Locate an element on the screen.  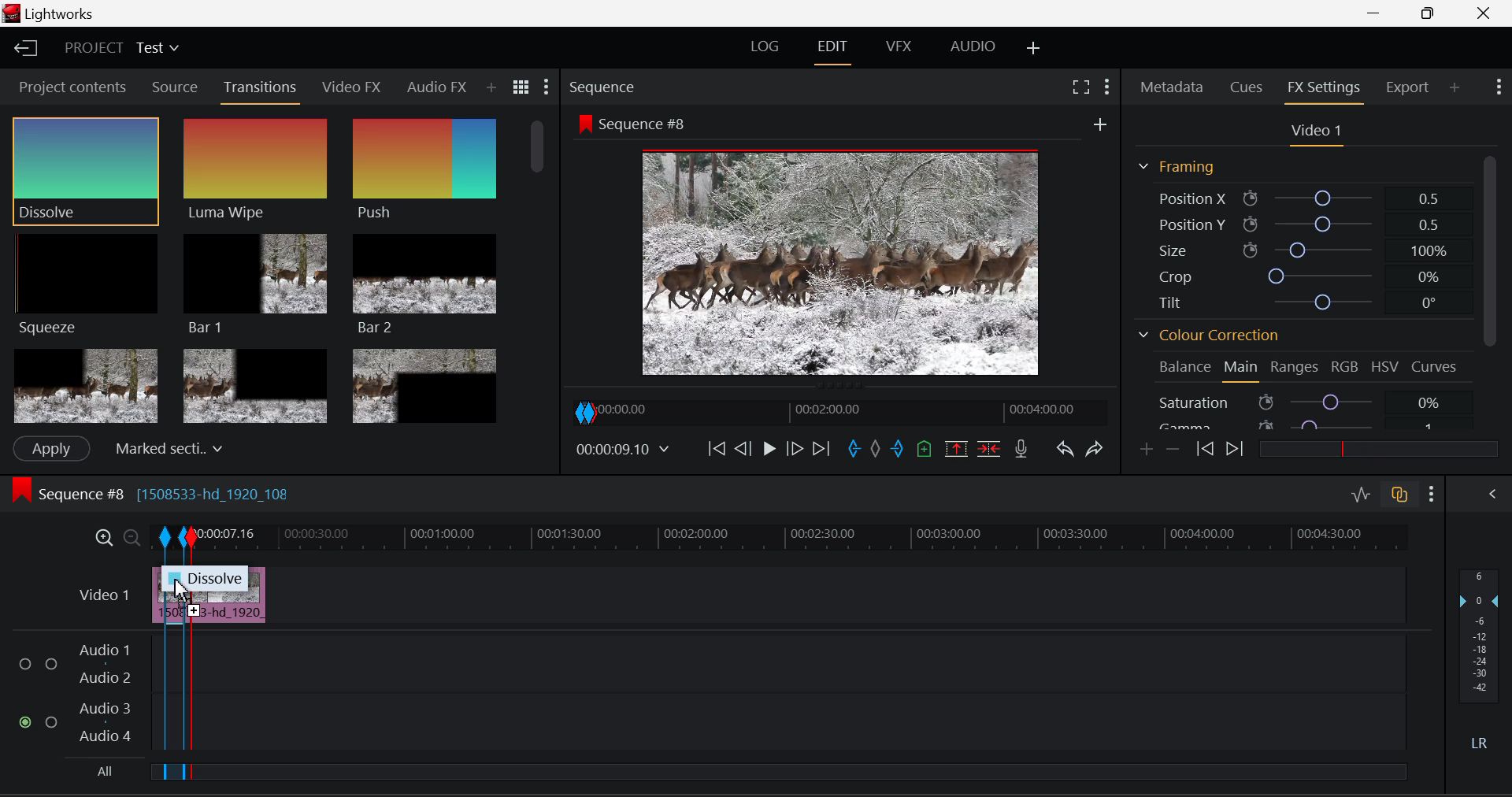
Toggle Audio Level Editing is located at coordinates (1362, 496).